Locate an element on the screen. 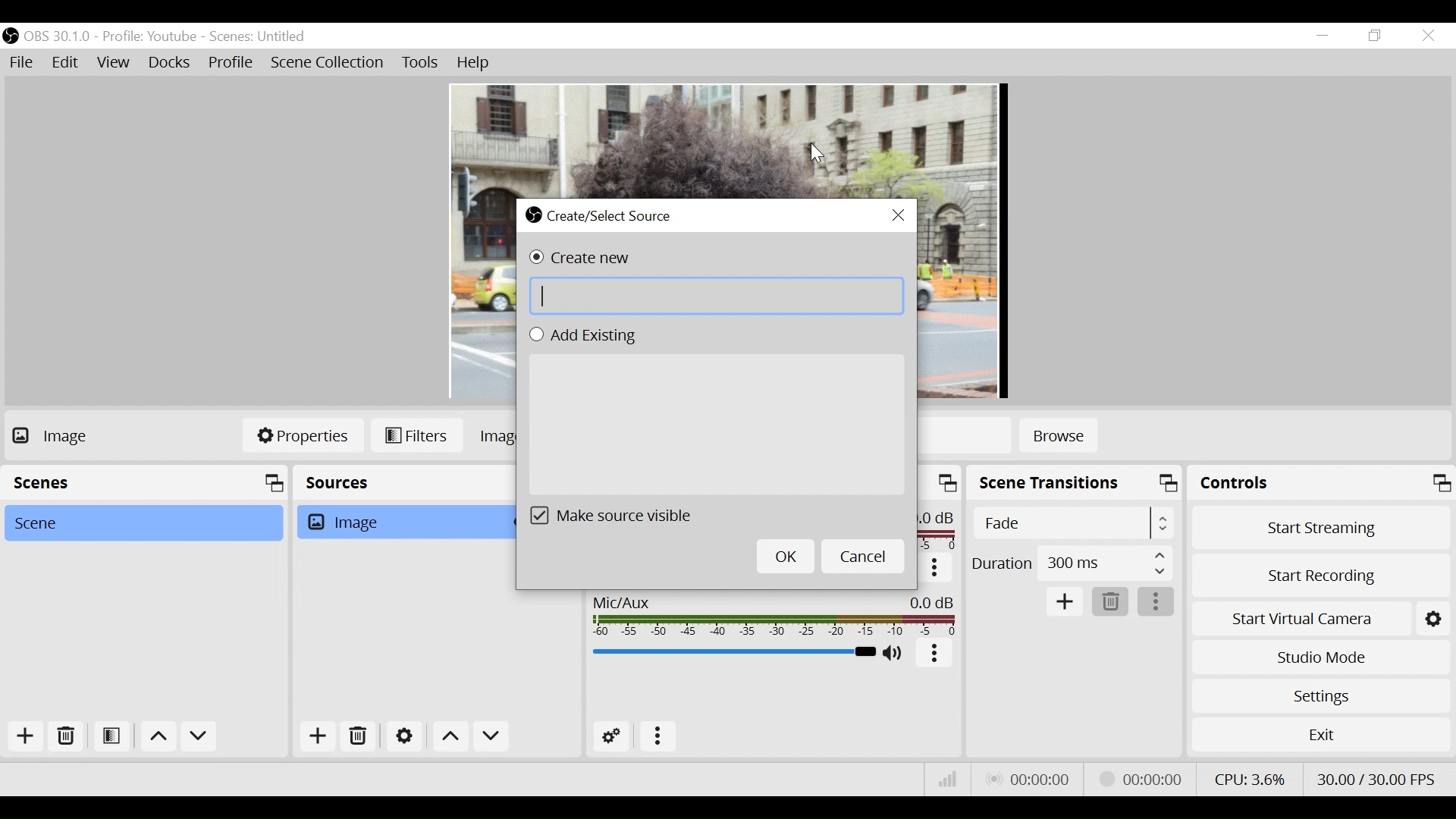  Browse Field is located at coordinates (717, 296).